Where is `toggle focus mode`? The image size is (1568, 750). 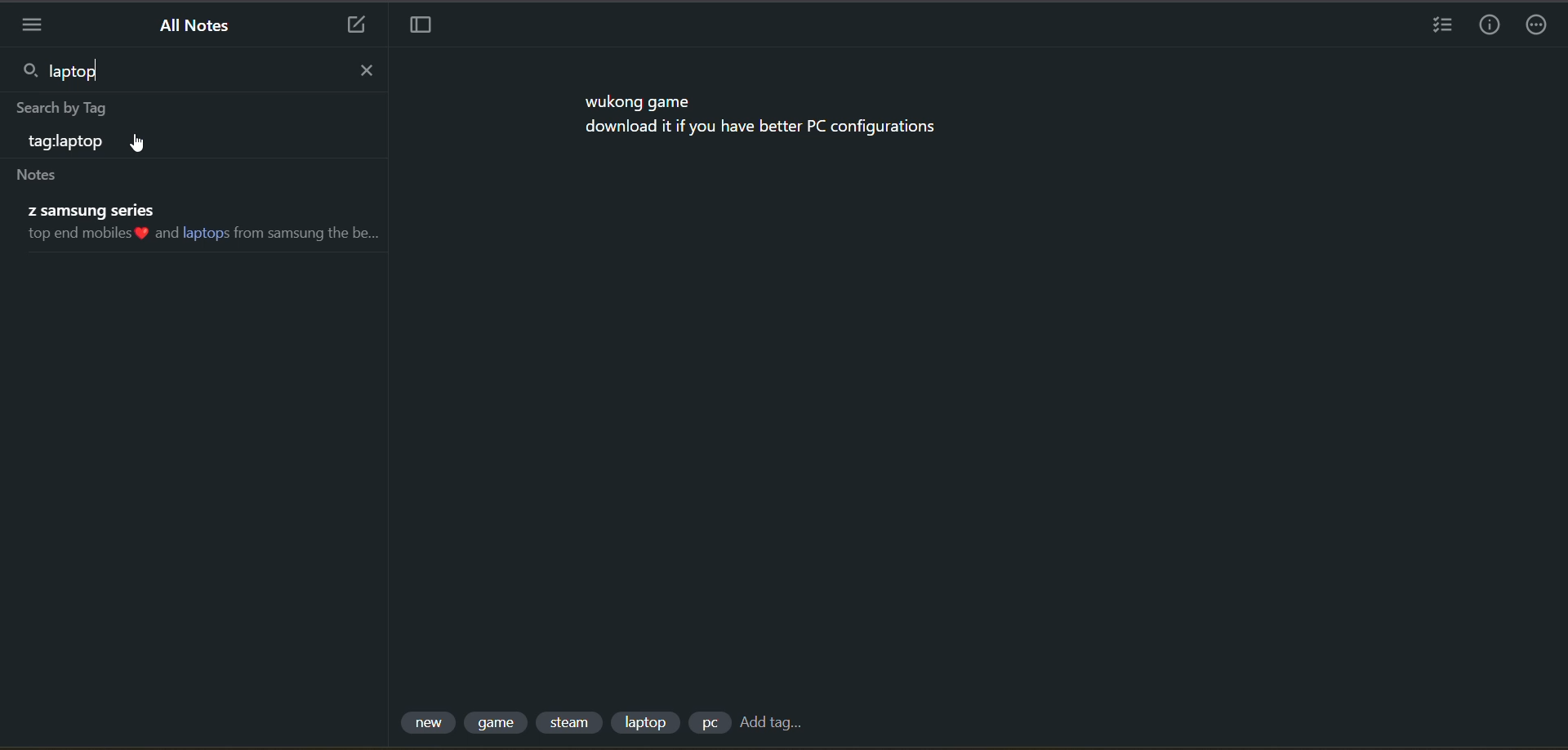
toggle focus mode is located at coordinates (421, 24).